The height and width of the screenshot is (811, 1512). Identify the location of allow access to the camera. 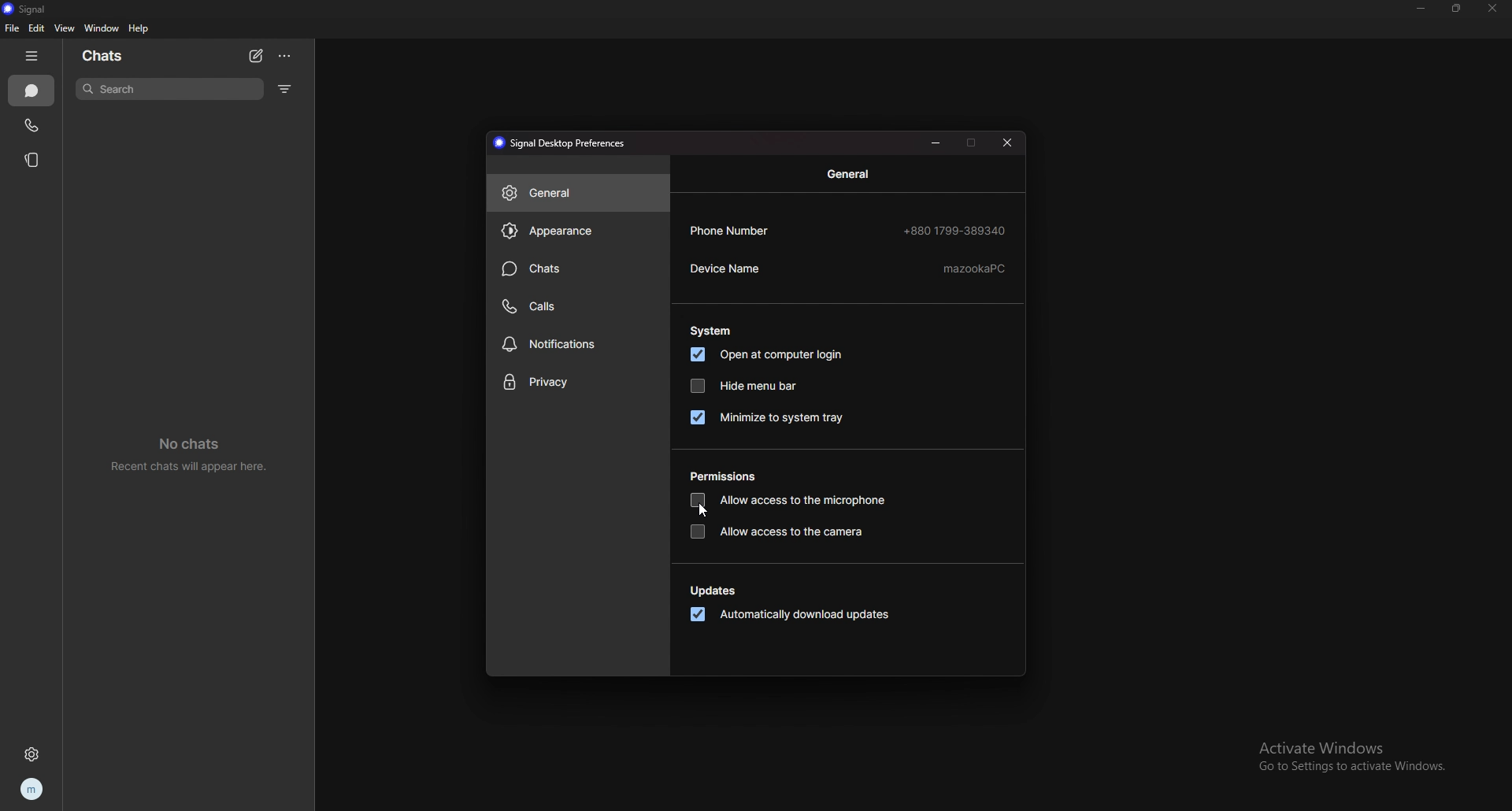
(780, 531).